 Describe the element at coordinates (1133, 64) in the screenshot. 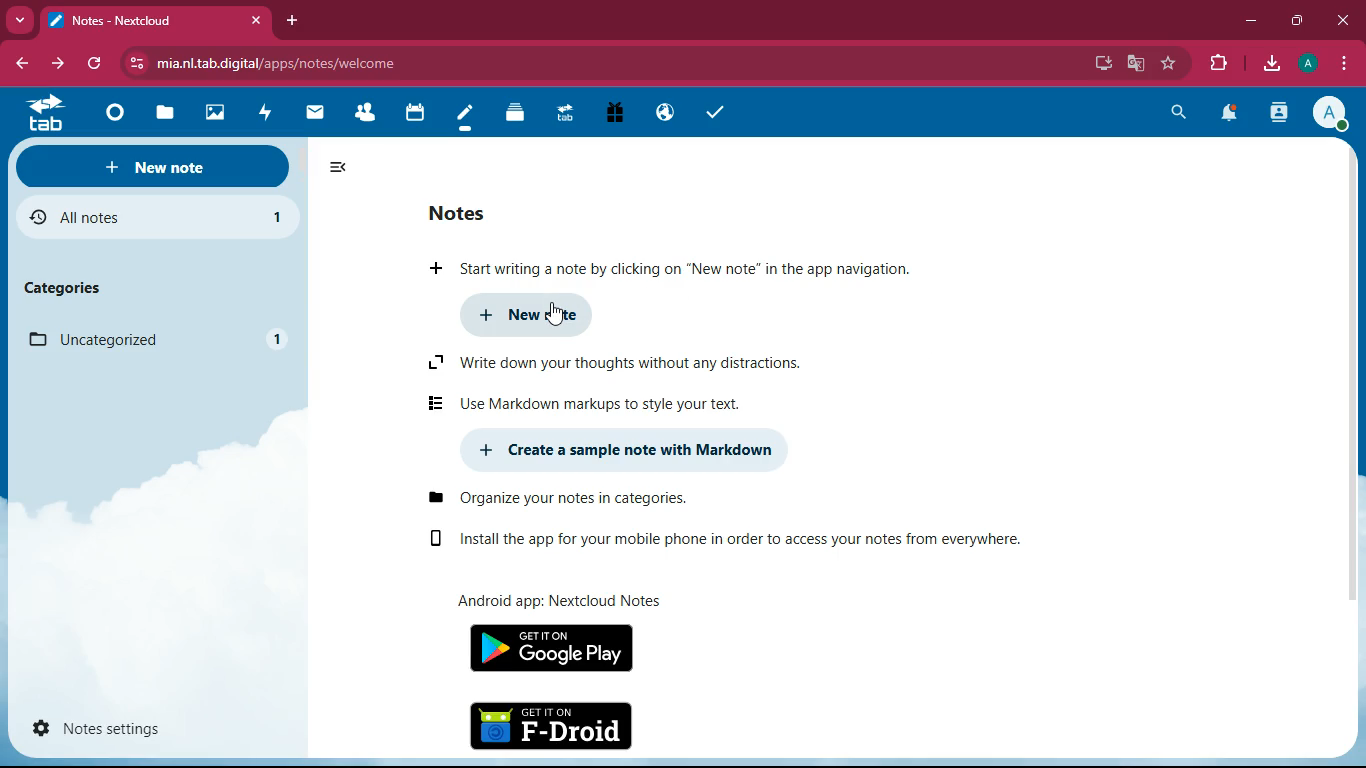

I see `google translate` at that location.